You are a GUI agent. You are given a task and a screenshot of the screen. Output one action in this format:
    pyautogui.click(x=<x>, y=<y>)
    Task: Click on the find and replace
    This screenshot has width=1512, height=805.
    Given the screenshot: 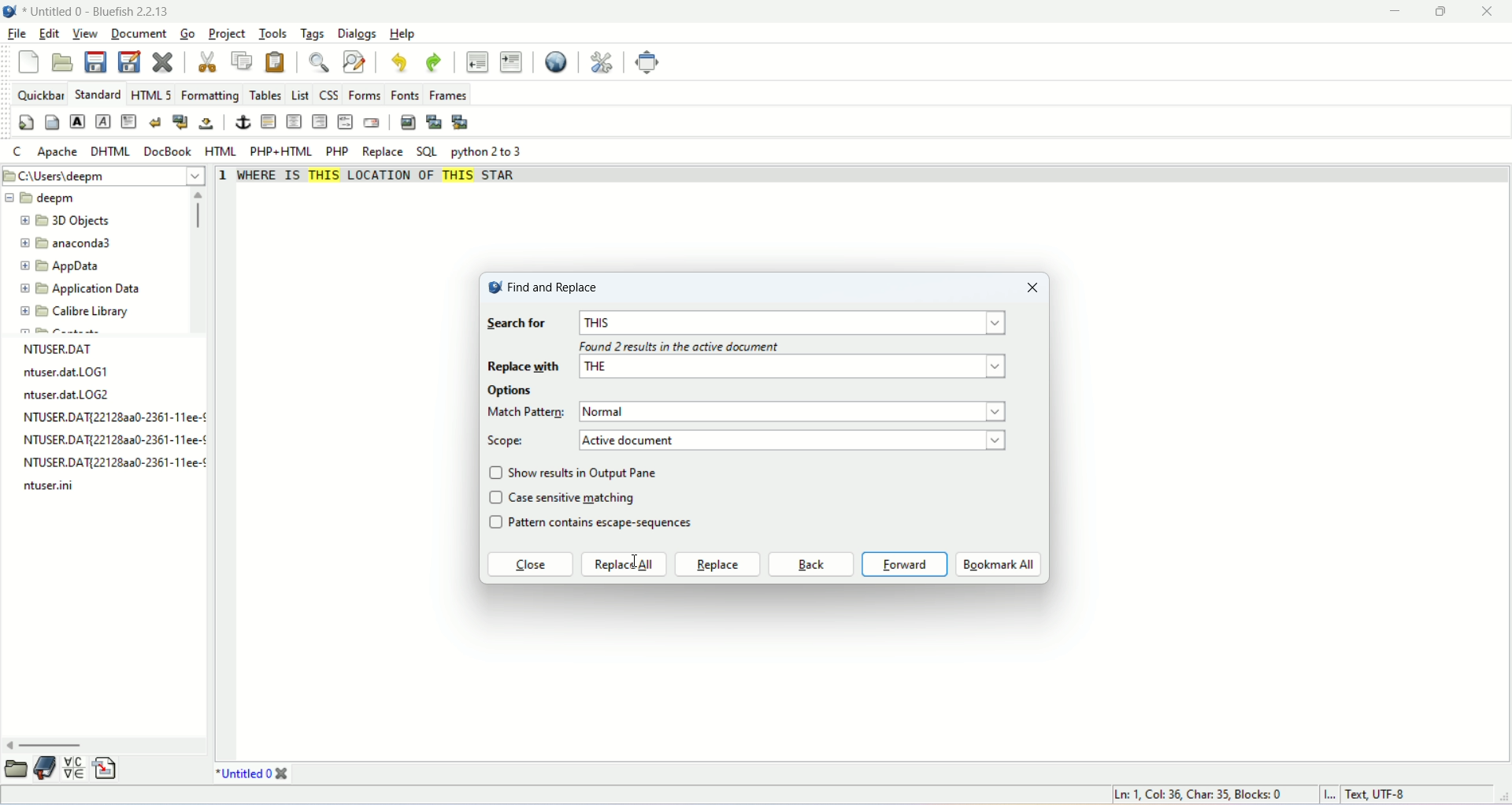 What is the action you would take?
    pyautogui.click(x=354, y=61)
    